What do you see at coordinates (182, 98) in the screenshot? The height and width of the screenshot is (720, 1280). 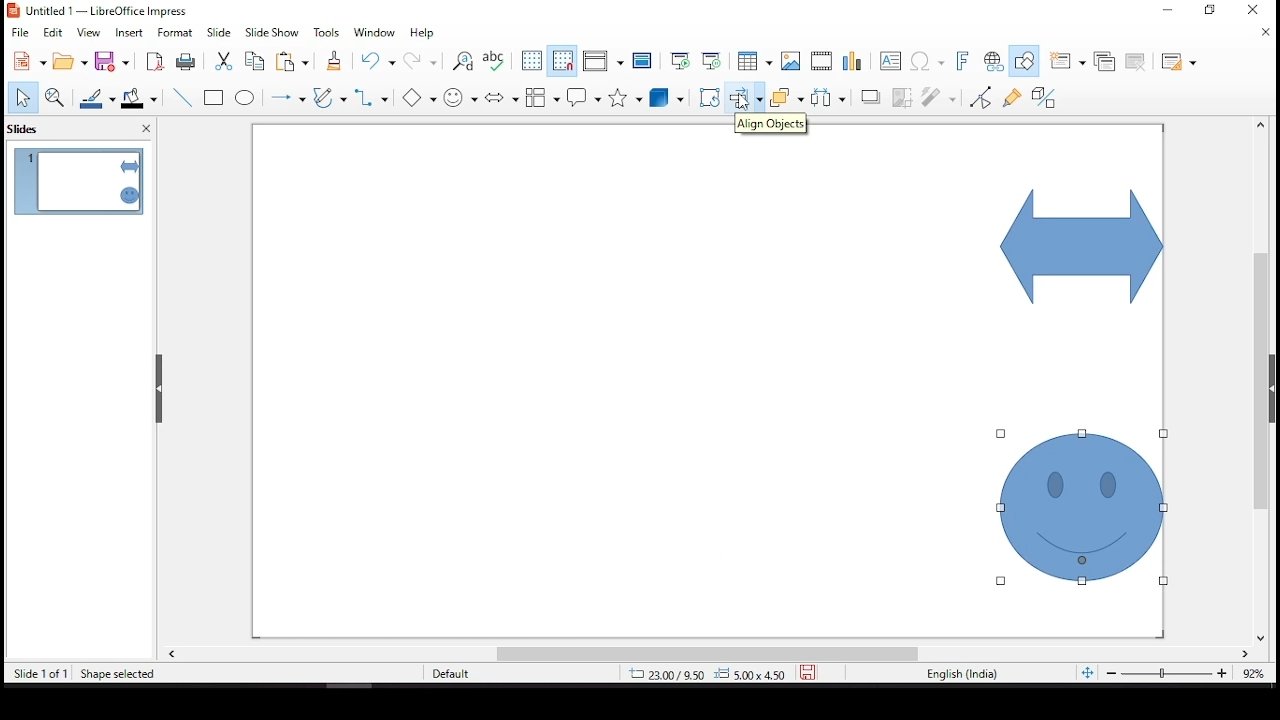 I see `line` at bounding box center [182, 98].